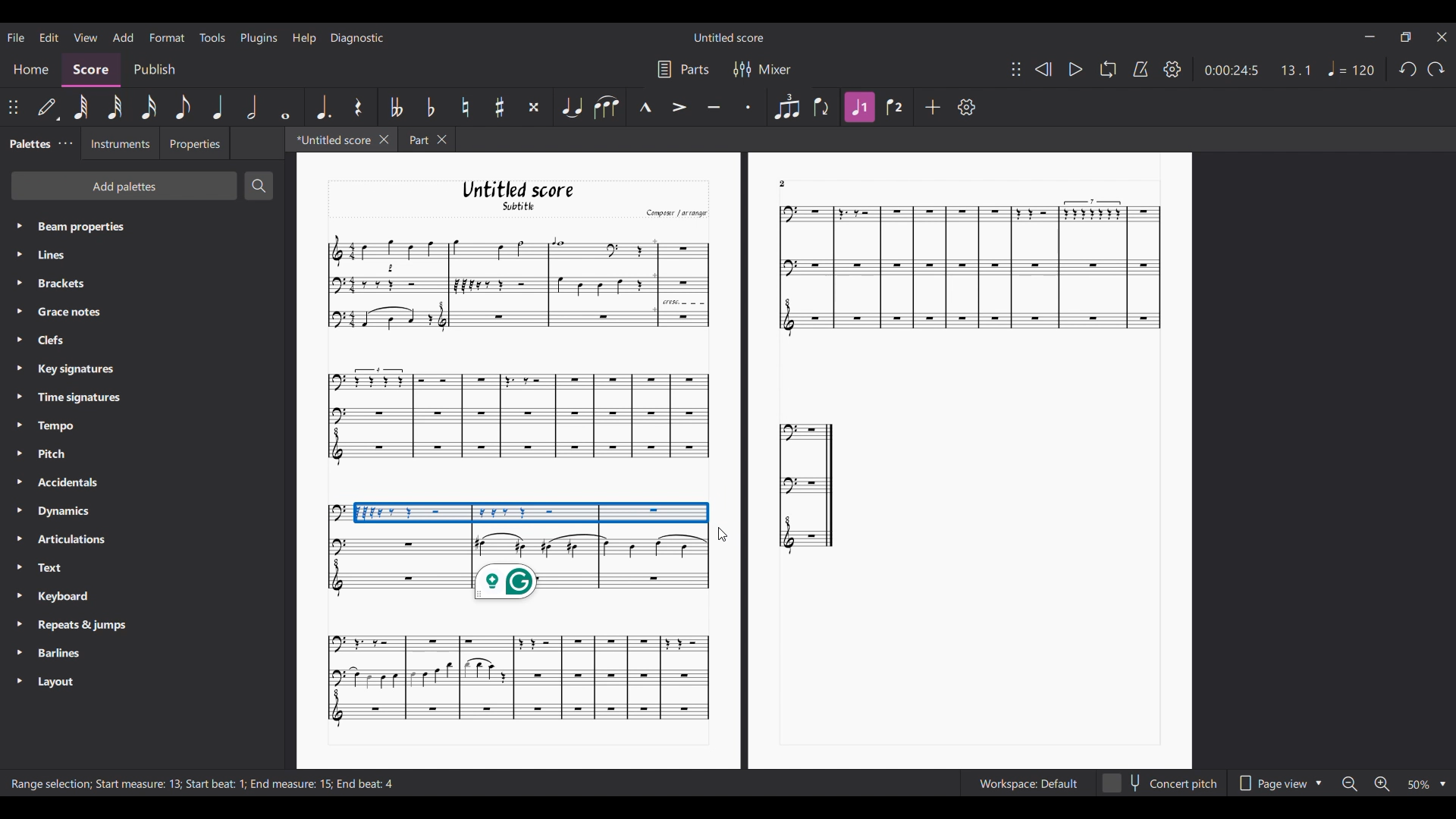 This screenshot has width=1456, height=819. I want to click on 32nd note, so click(115, 107).